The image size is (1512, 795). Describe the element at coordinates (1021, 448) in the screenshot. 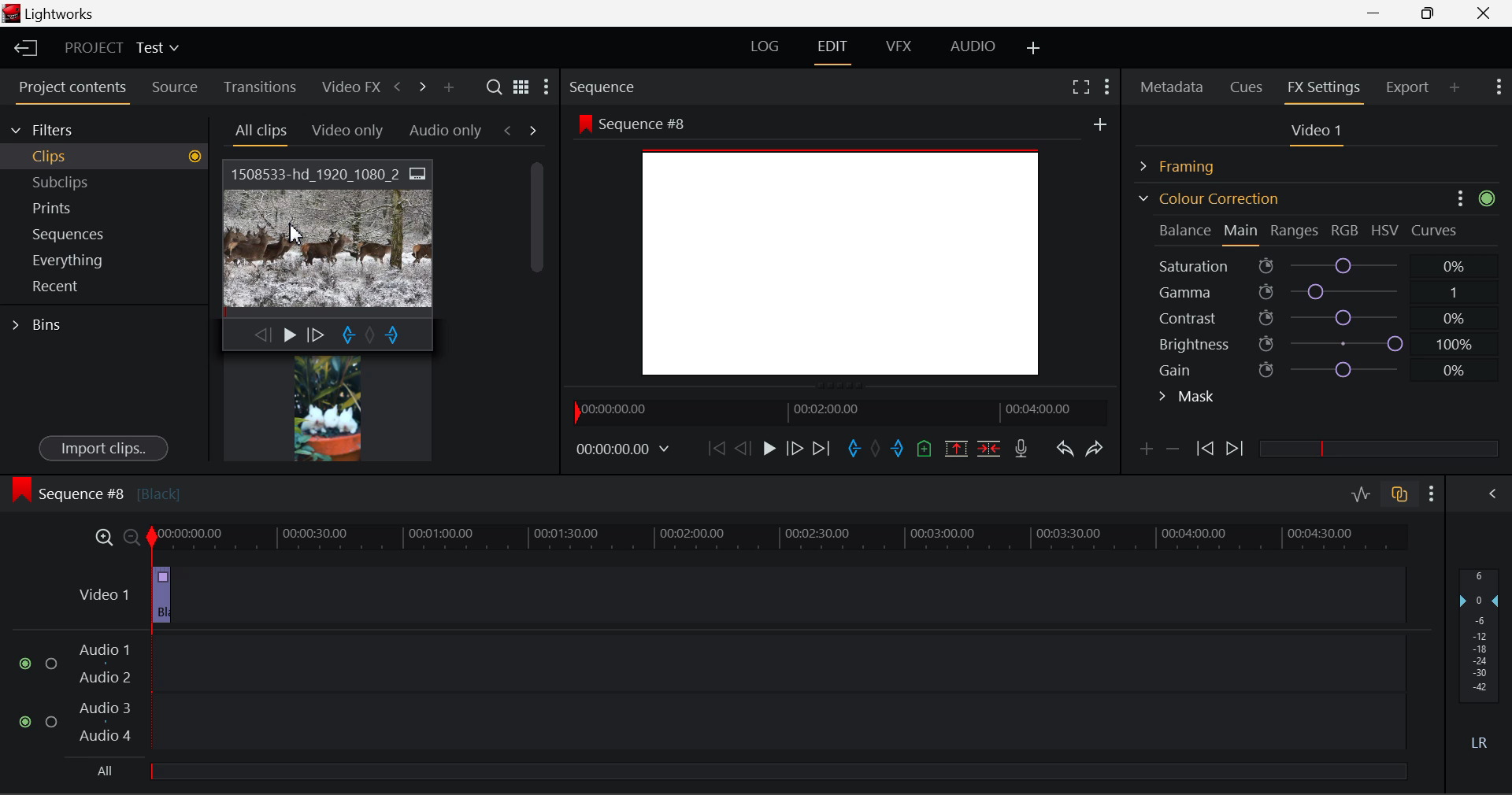

I see `Recrod Voiceover` at that location.